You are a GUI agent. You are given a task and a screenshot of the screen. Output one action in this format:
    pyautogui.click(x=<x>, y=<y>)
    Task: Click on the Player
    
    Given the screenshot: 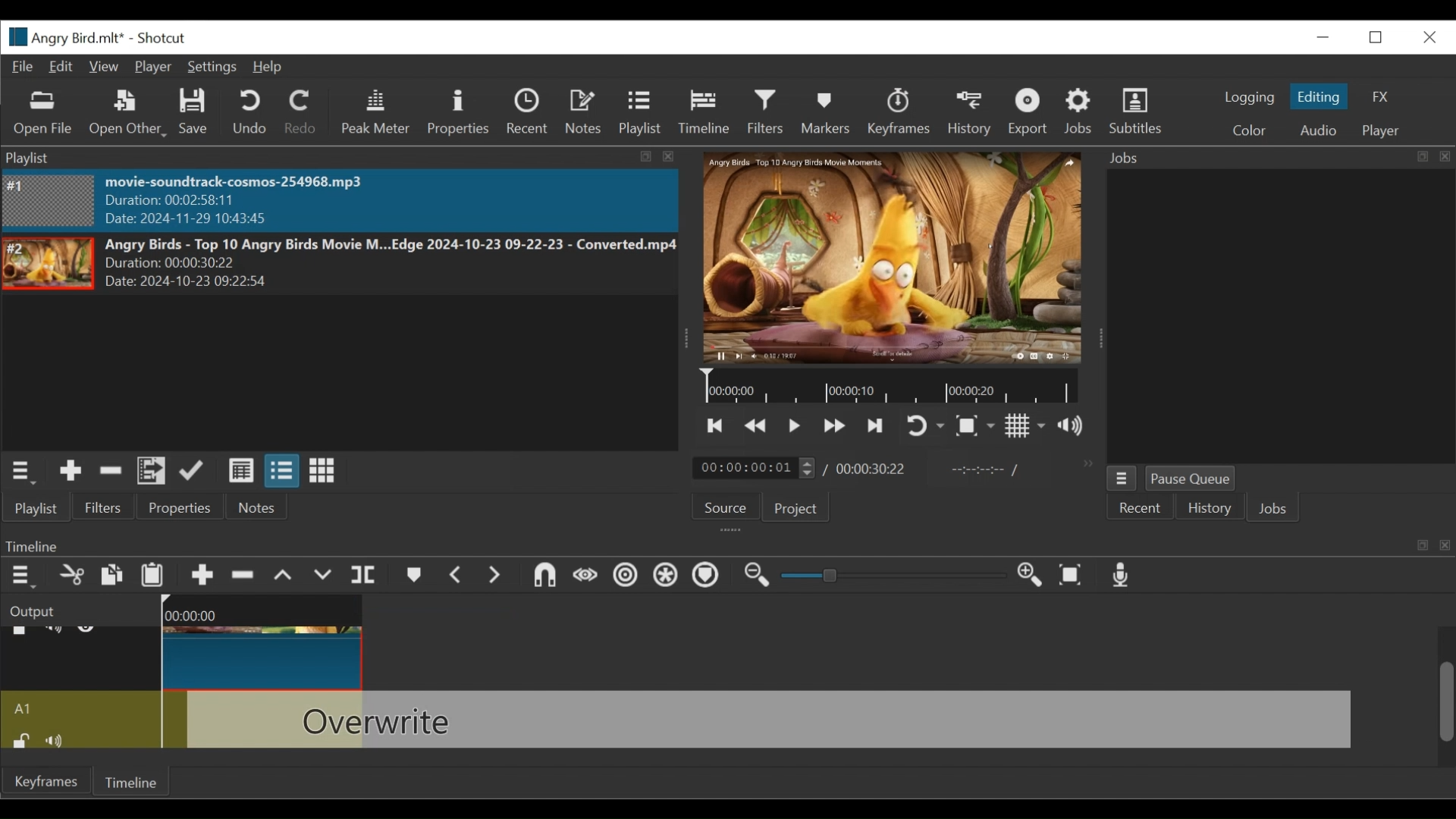 What is the action you would take?
    pyautogui.click(x=151, y=67)
    